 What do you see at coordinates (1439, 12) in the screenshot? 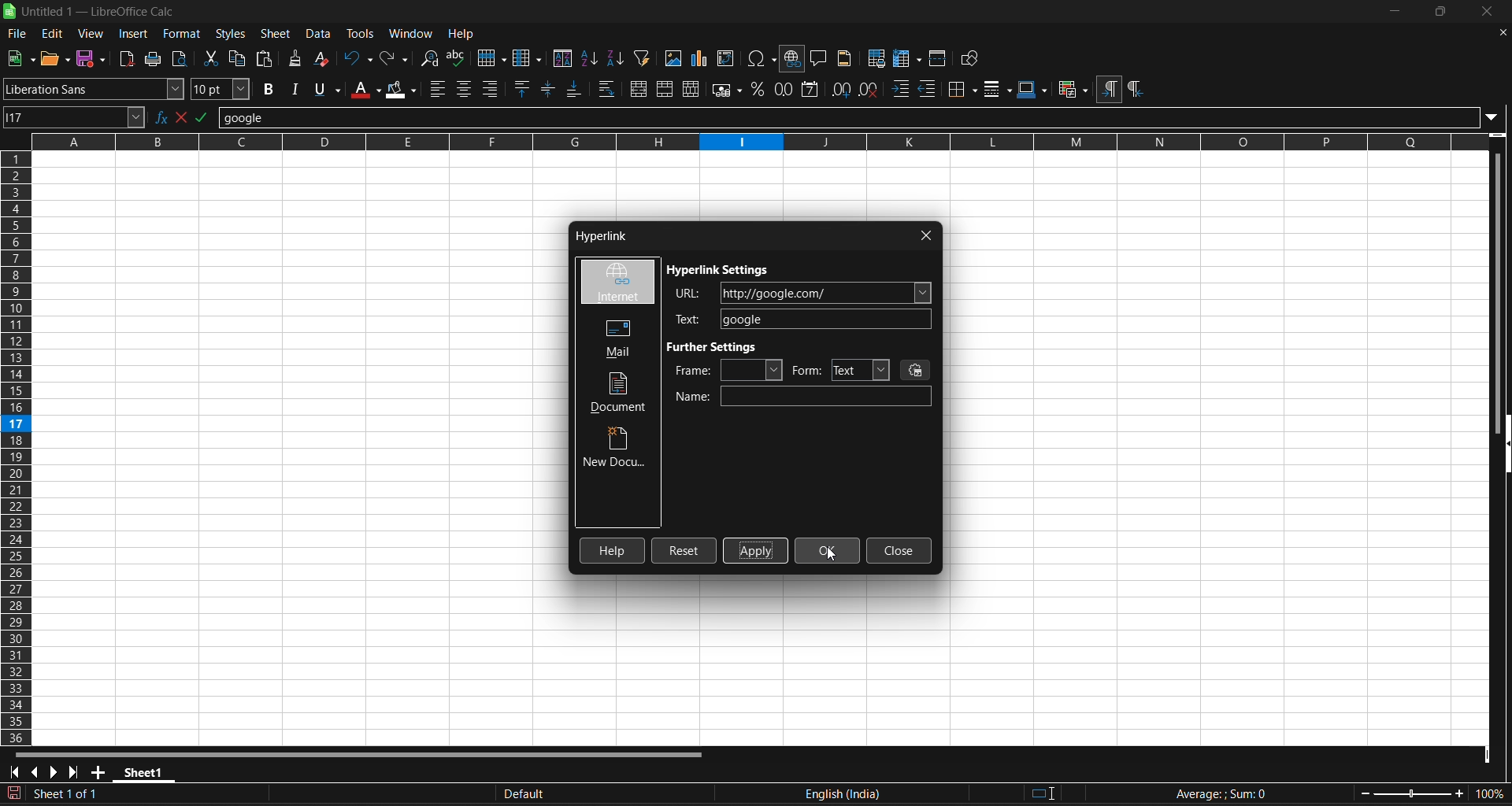
I see `maximize` at bounding box center [1439, 12].